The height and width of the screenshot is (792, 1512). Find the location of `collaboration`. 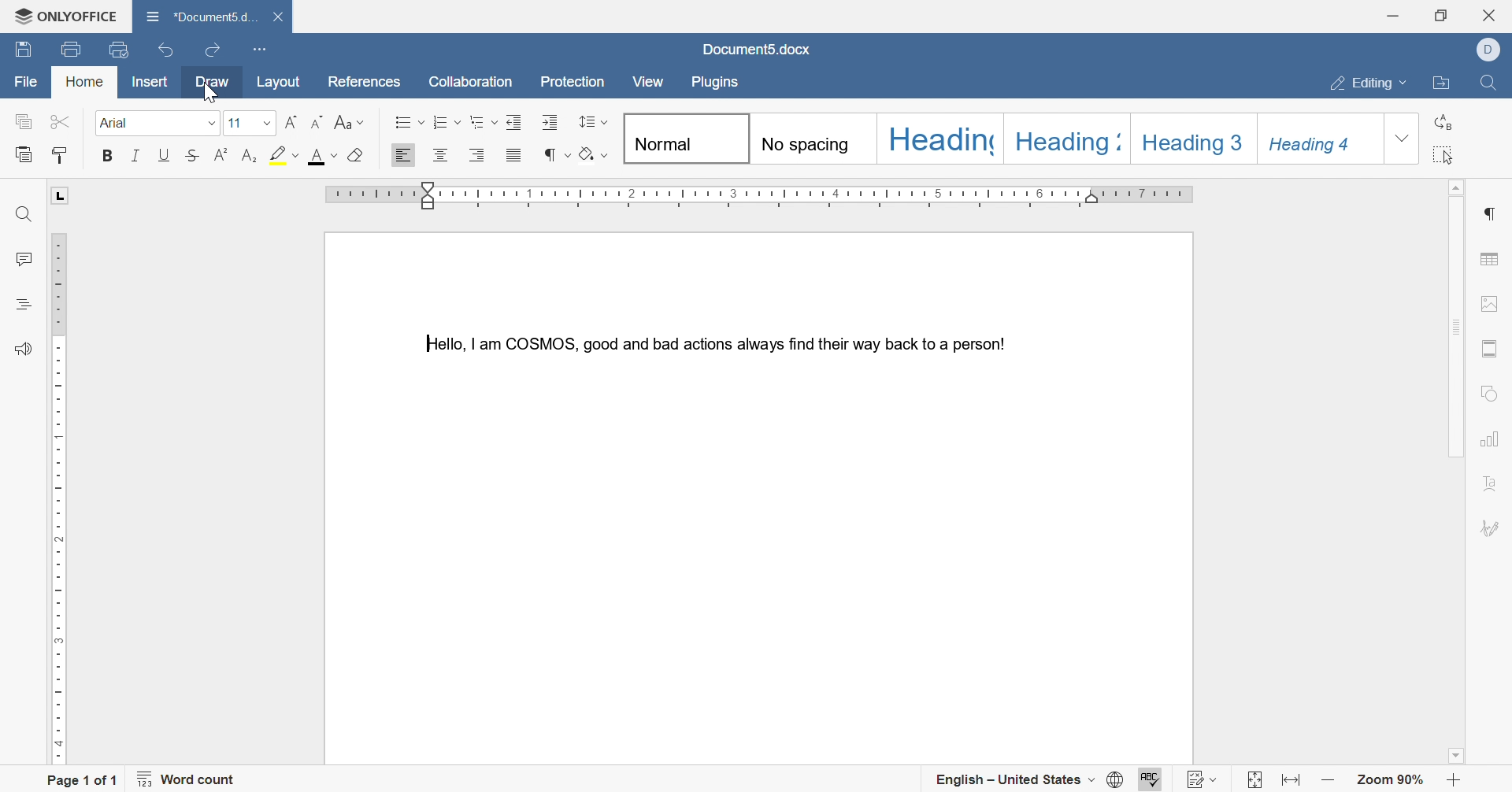

collaboration is located at coordinates (472, 83).